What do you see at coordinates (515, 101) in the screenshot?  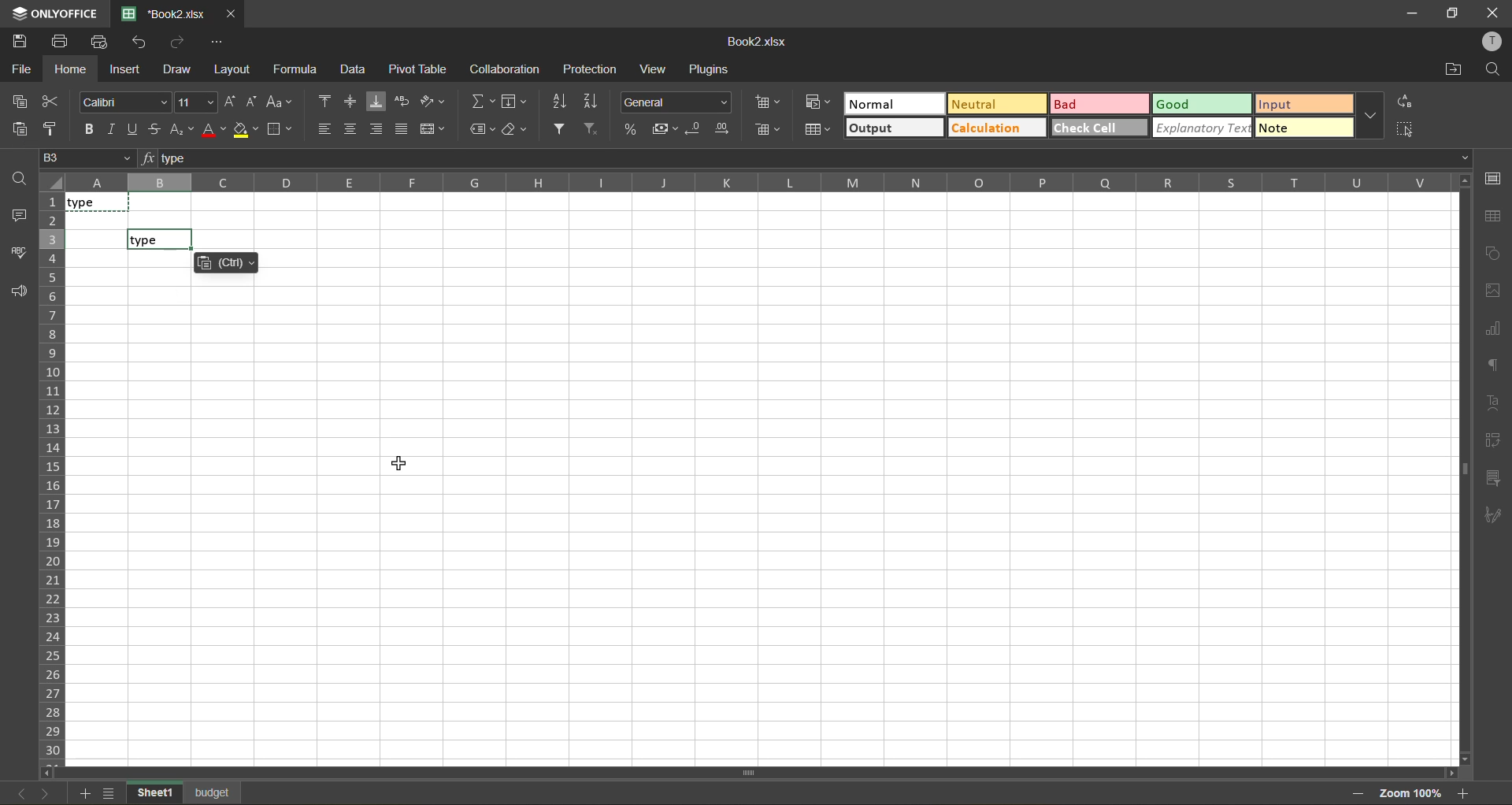 I see `fields` at bounding box center [515, 101].